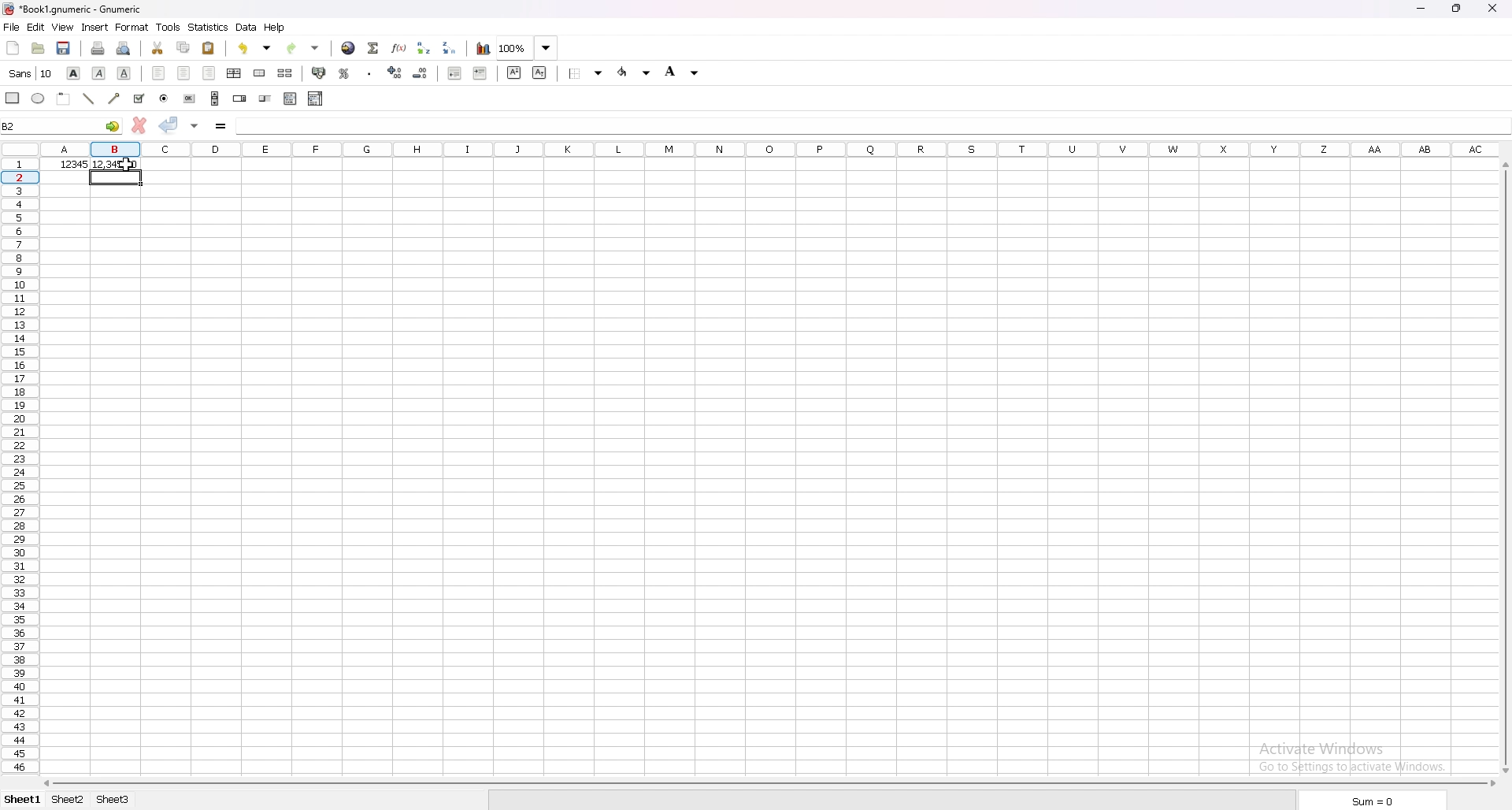  Describe the element at coordinates (98, 72) in the screenshot. I see `italic` at that location.